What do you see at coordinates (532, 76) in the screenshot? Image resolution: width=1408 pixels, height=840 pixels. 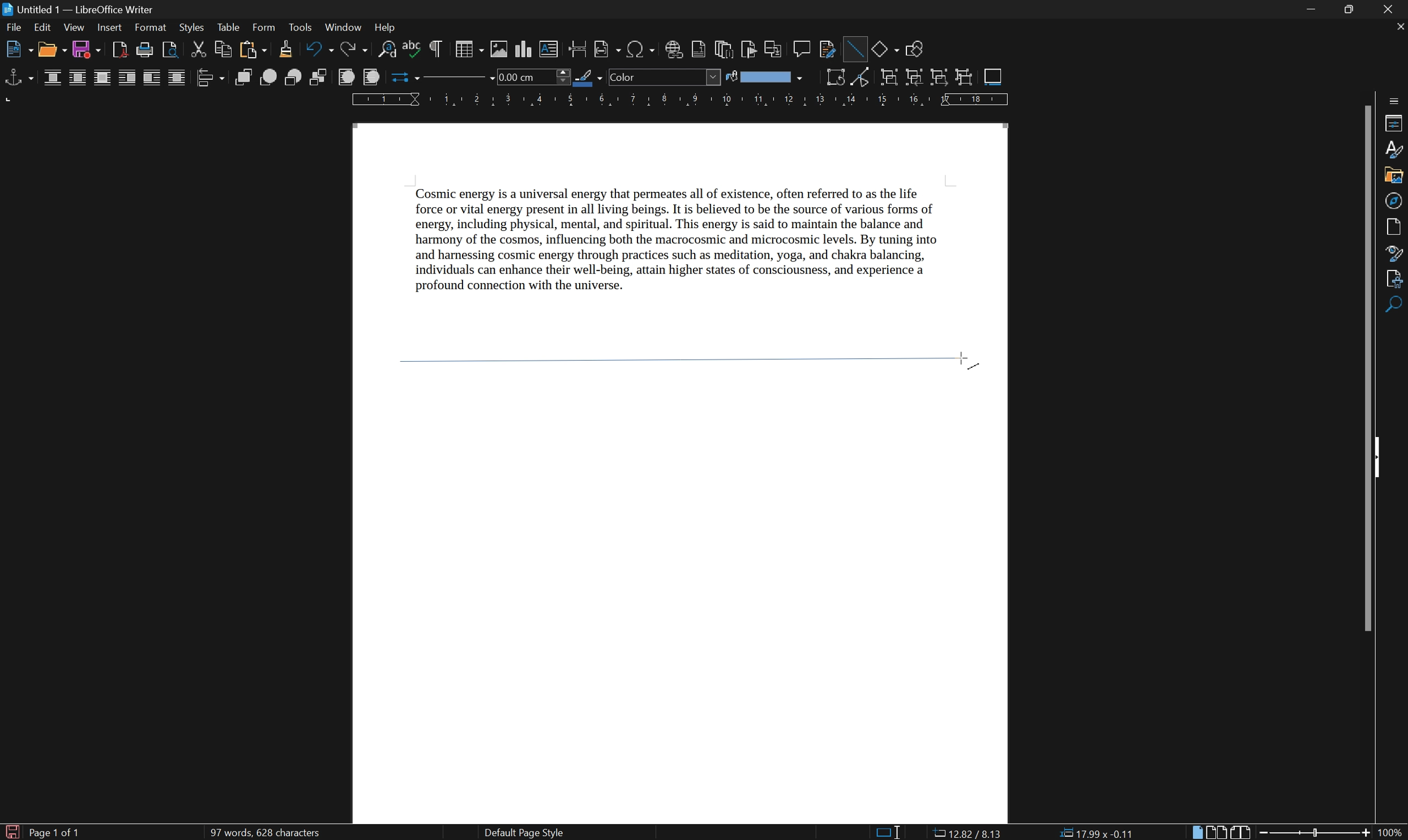 I see `line thickness` at bounding box center [532, 76].